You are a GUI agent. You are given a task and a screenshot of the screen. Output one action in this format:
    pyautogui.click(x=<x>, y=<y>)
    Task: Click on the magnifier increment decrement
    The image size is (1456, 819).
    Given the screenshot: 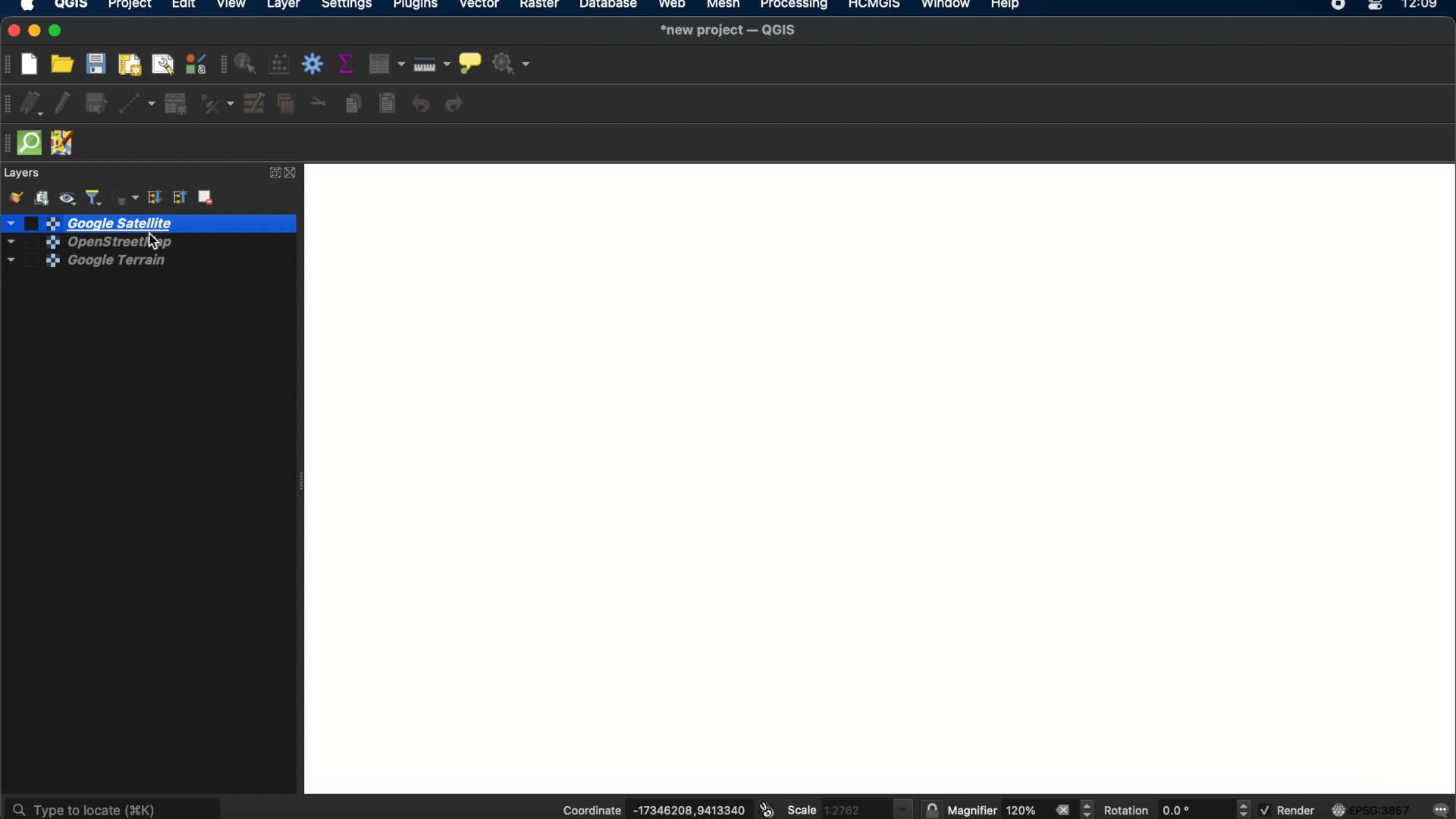 What is the action you would take?
    pyautogui.click(x=1089, y=808)
    